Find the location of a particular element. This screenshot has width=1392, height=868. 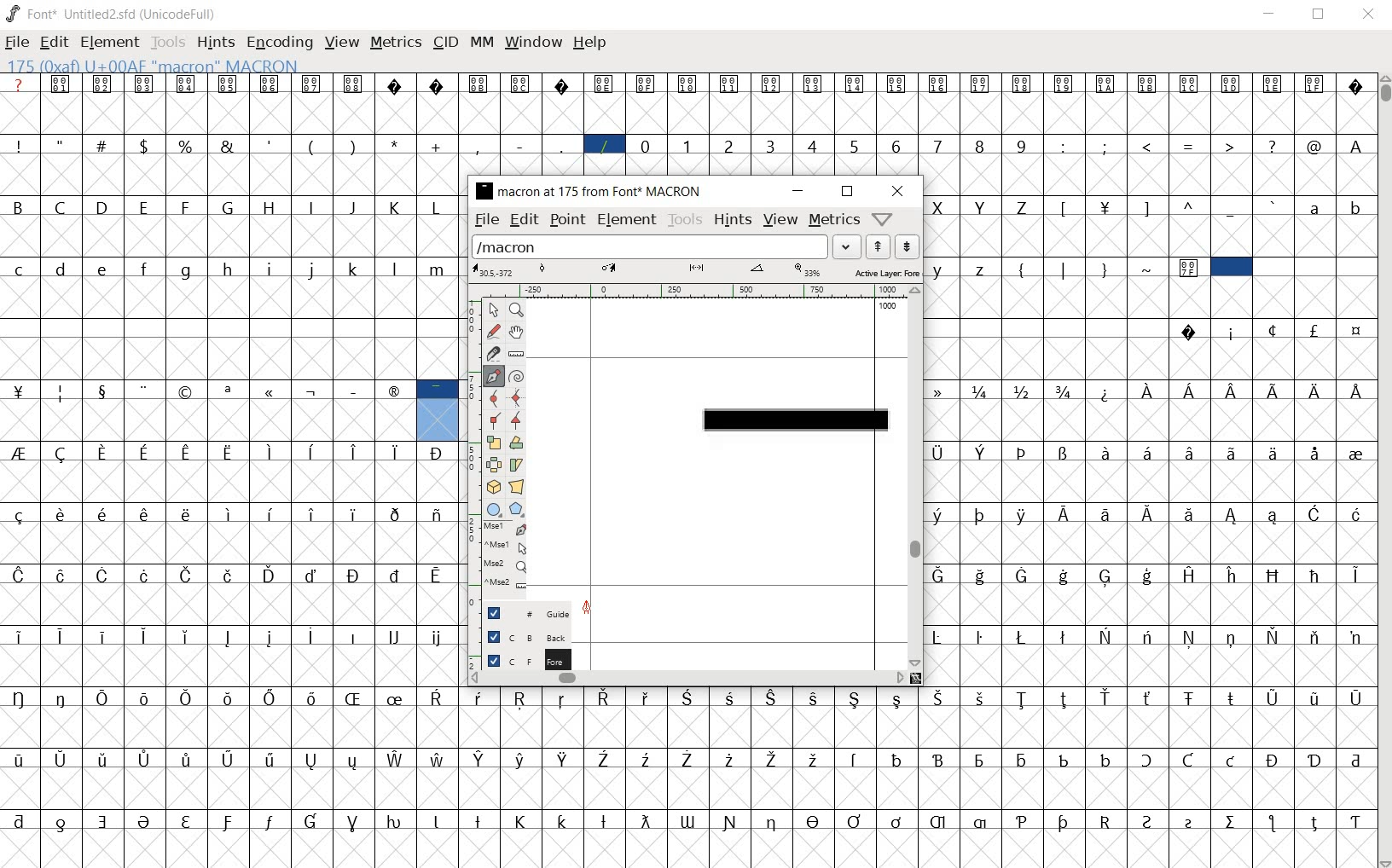

Symbol is located at coordinates (17, 760).